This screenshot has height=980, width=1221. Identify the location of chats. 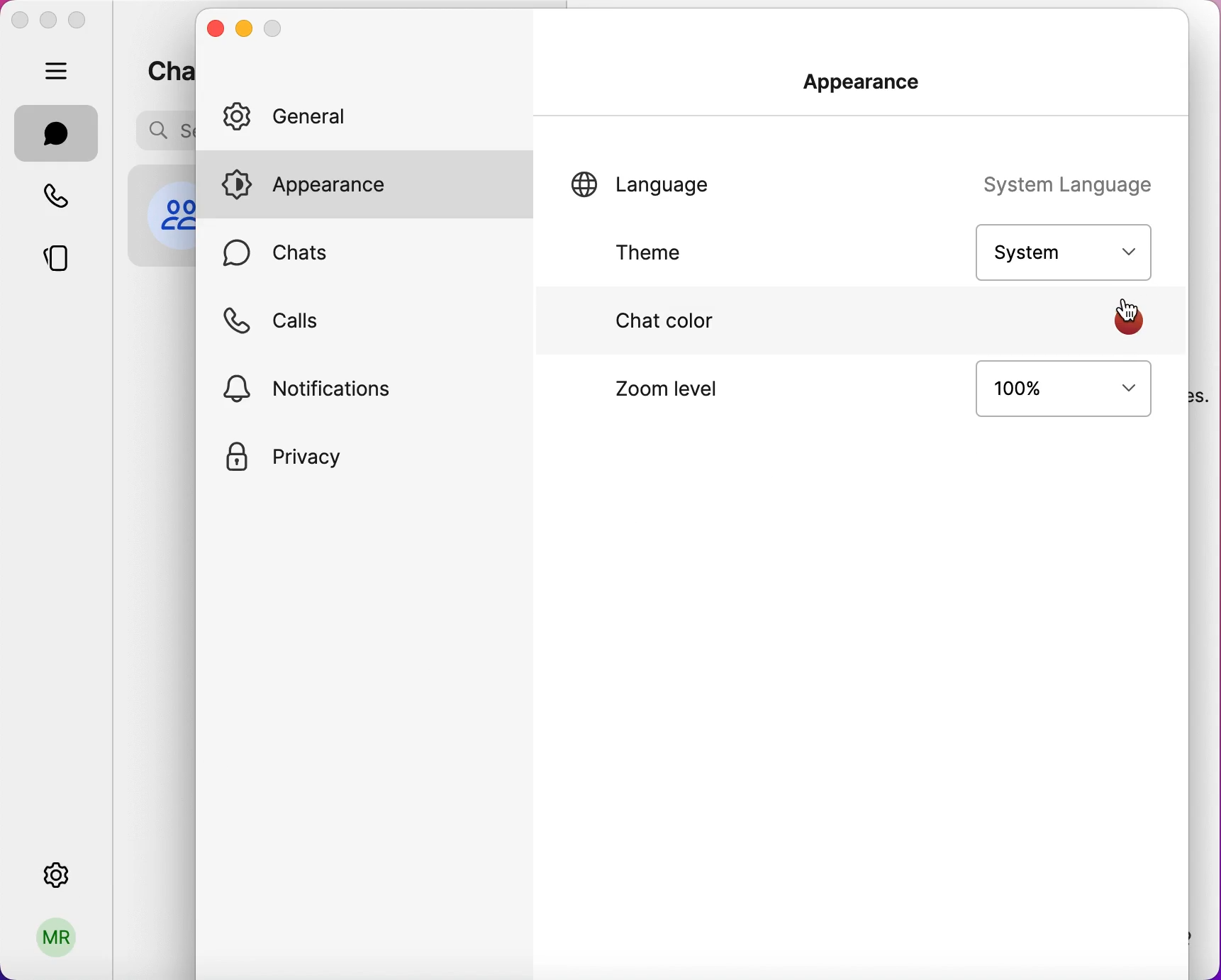
(303, 253).